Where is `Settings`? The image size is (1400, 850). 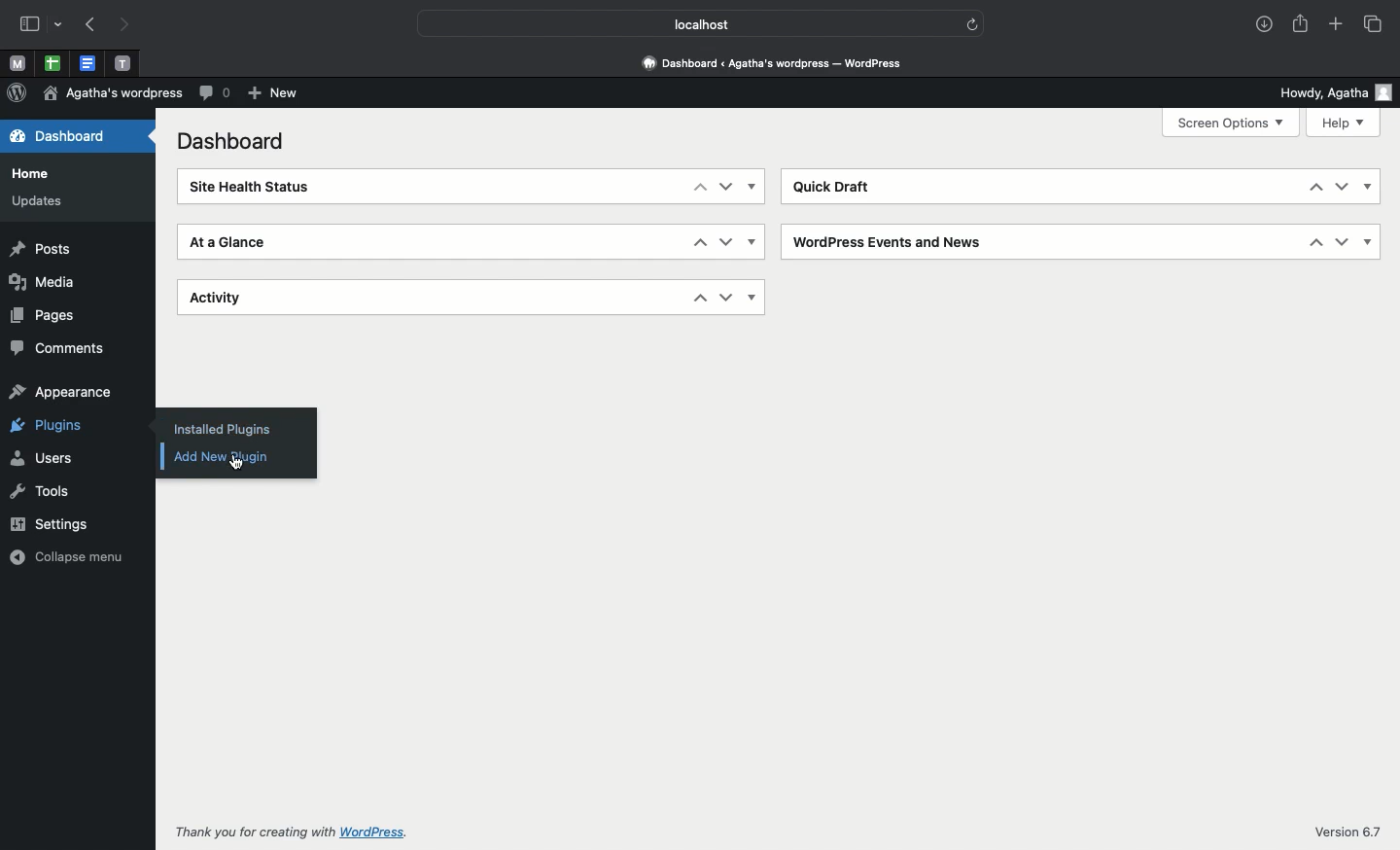 Settings is located at coordinates (50, 524).